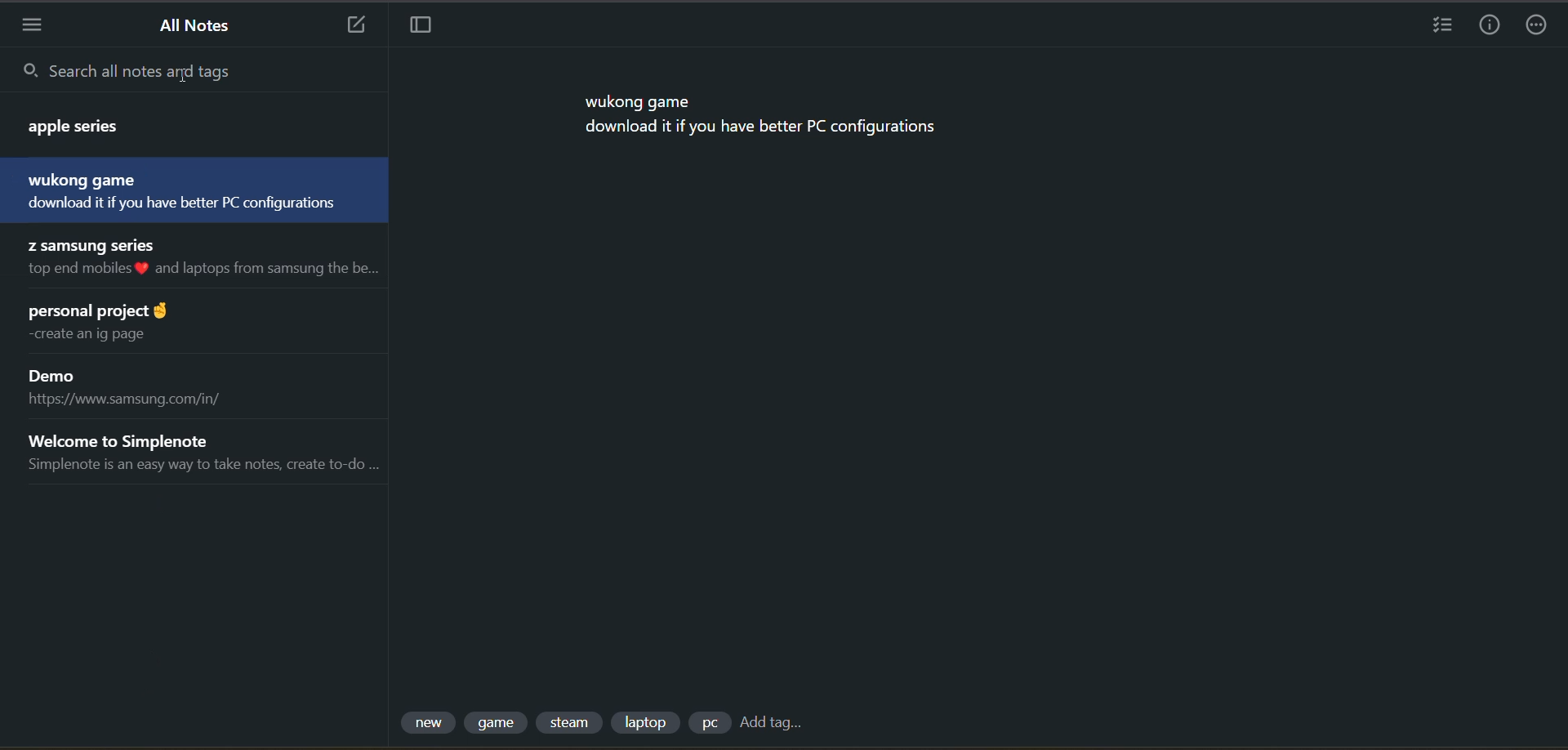 This screenshot has height=750, width=1568. What do you see at coordinates (646, 721) in the screenshot?
I see `tag 4` at bounding box center [646, 721].